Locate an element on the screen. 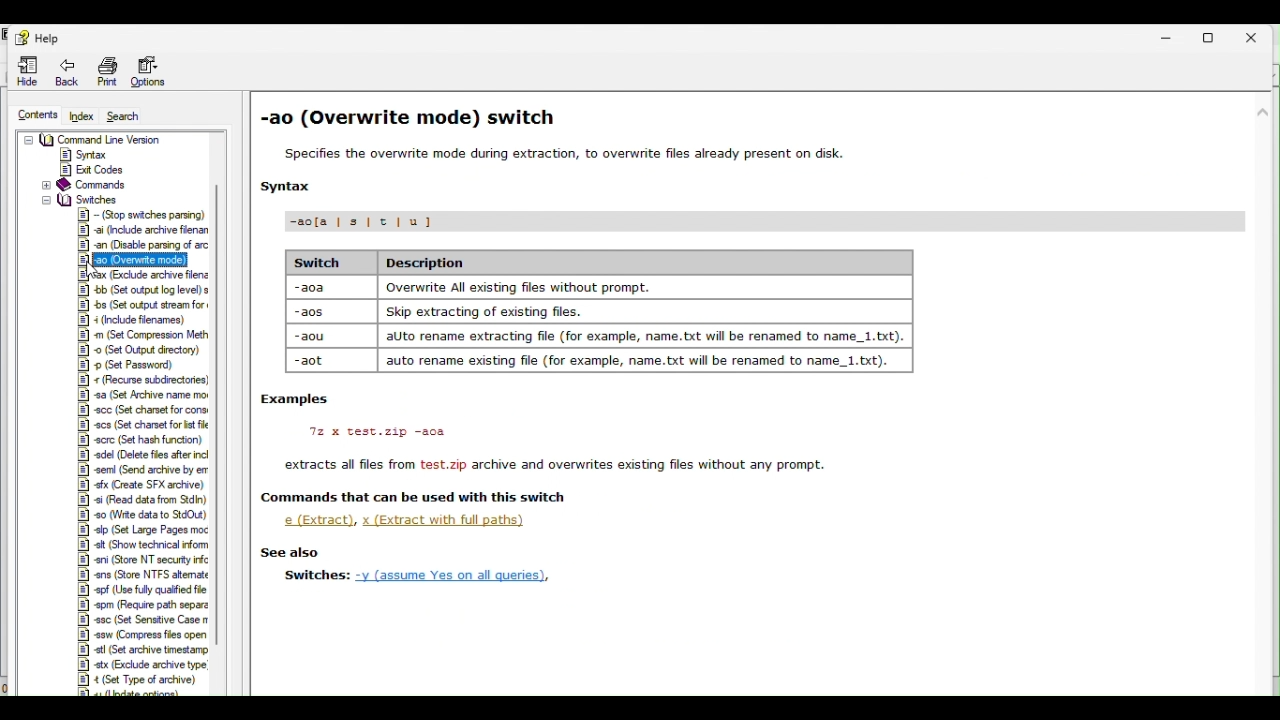 The width and height of the screenshot is (1280, 720). Close is located at coordinates (1254, 37).